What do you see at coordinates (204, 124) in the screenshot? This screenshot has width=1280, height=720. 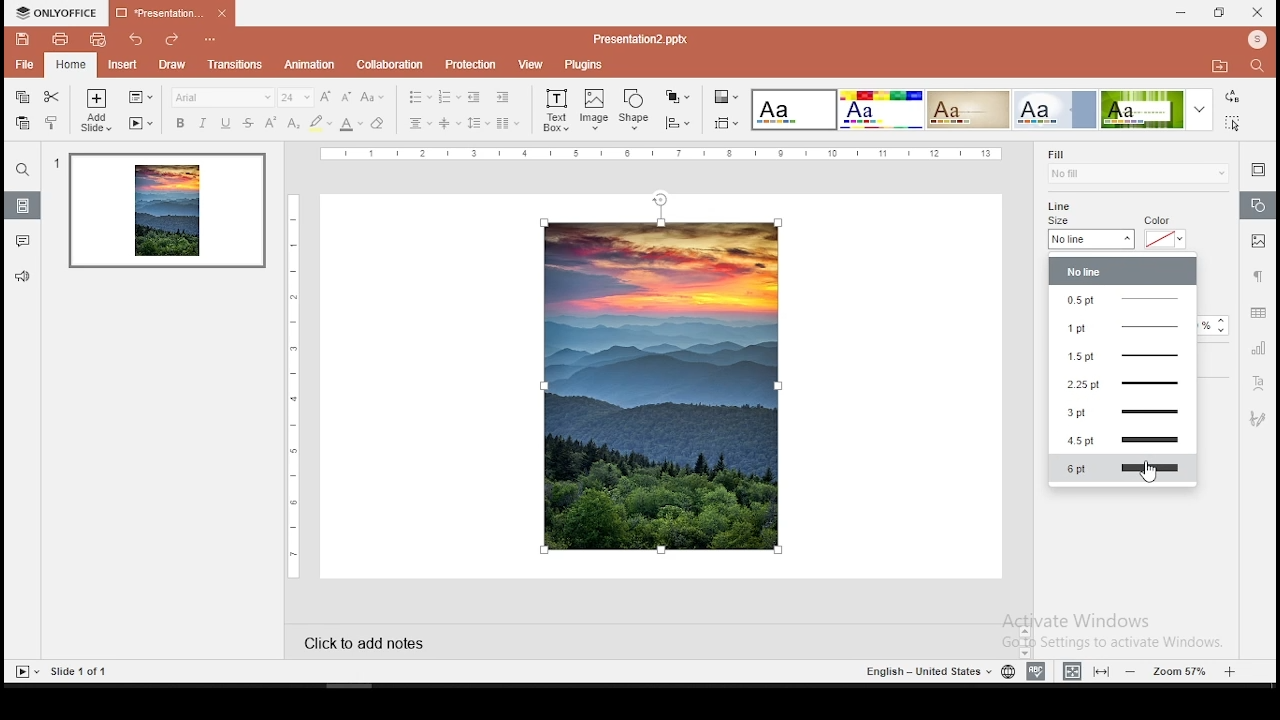 I see `italics` at bounding box center [204, 124].